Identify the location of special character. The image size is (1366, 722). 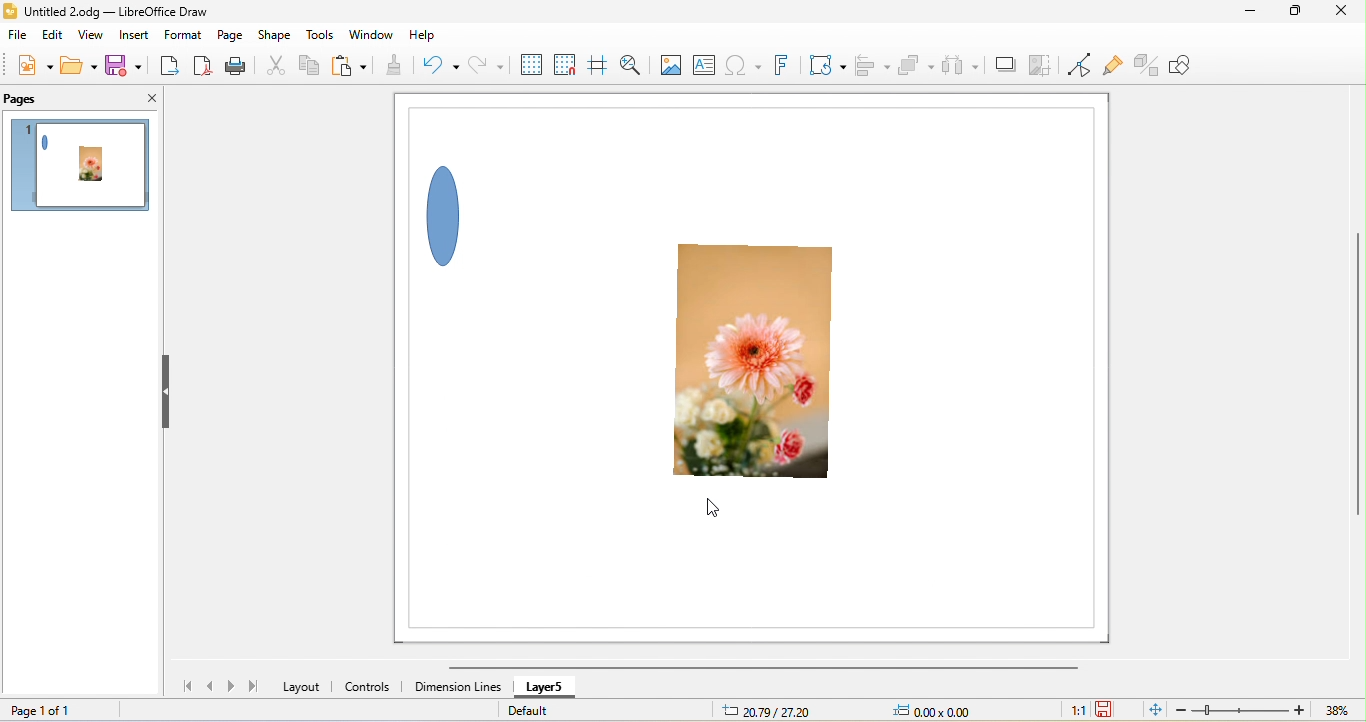
(730, 67).